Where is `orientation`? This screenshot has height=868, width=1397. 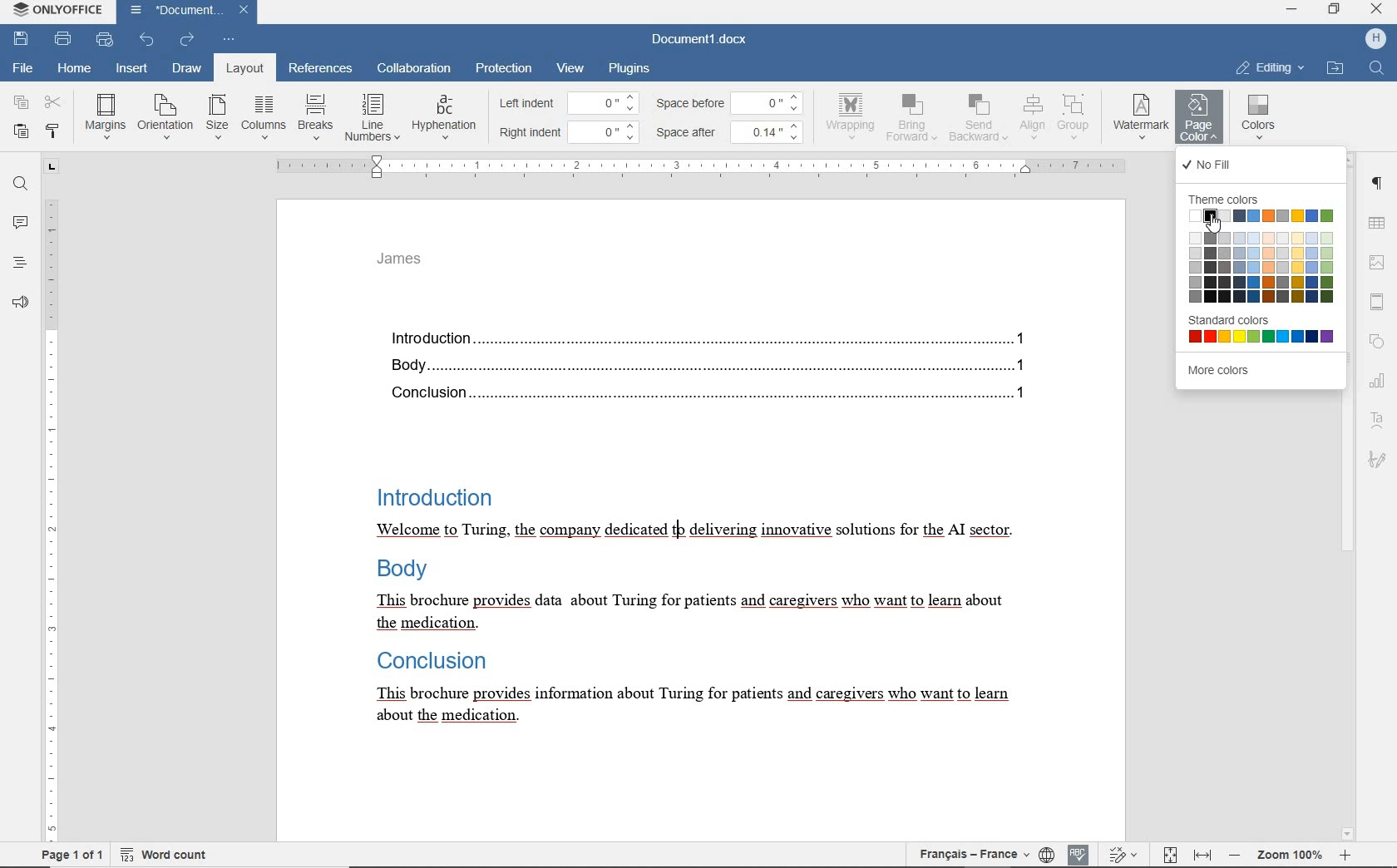 orientation is located at coordinates (164, 116).